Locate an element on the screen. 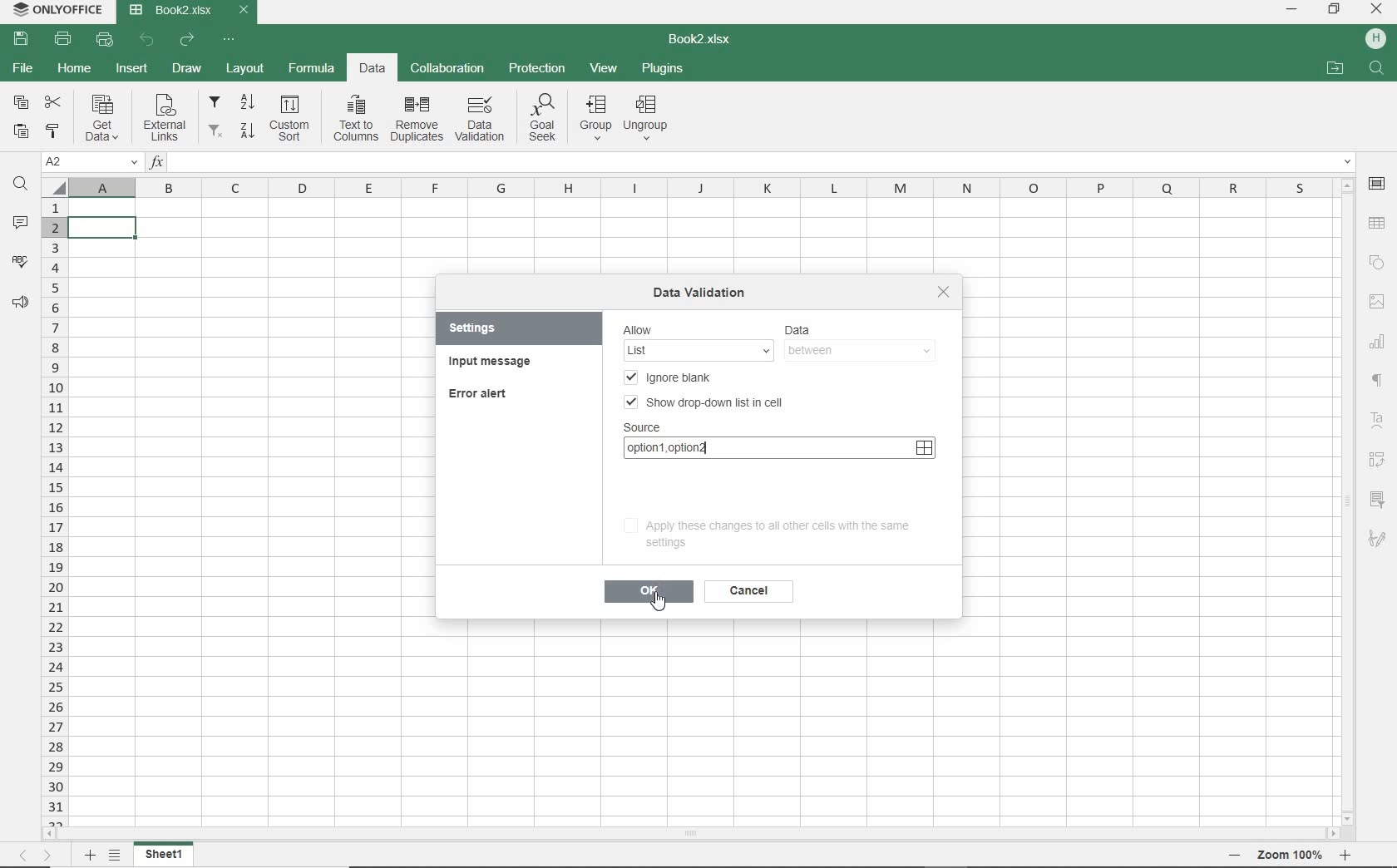 The image size is (1397, 868). remove filters is located at coordinates (217, 133).